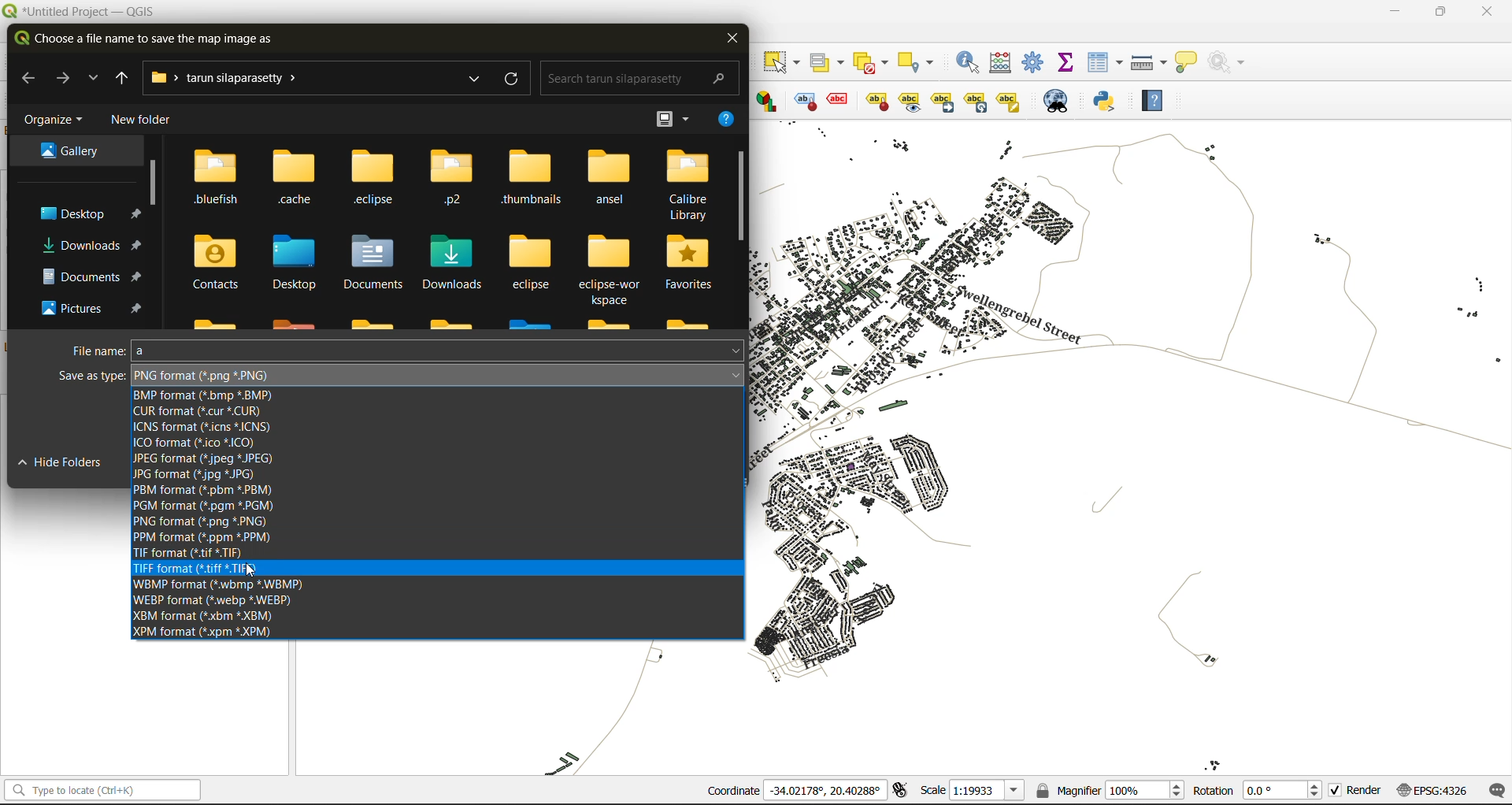 The width and height of the screenshot is (1512, 805). I want to click on file path, so click(233, 79).